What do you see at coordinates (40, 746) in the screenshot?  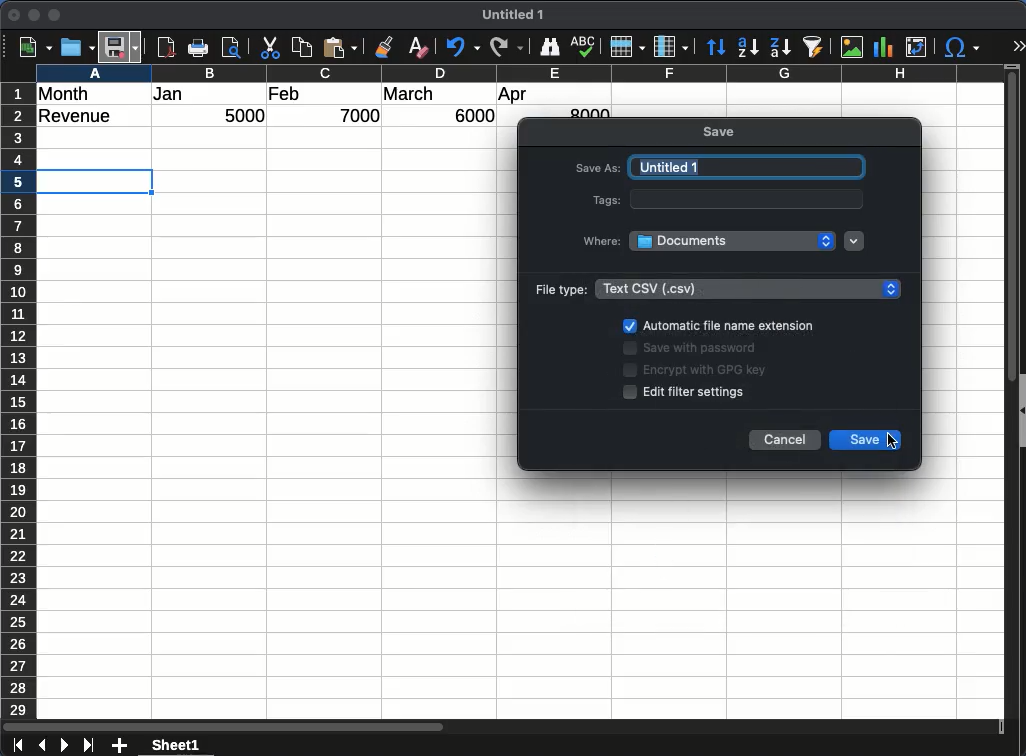 I see `previous sheet` at bounding box center [40, 746].